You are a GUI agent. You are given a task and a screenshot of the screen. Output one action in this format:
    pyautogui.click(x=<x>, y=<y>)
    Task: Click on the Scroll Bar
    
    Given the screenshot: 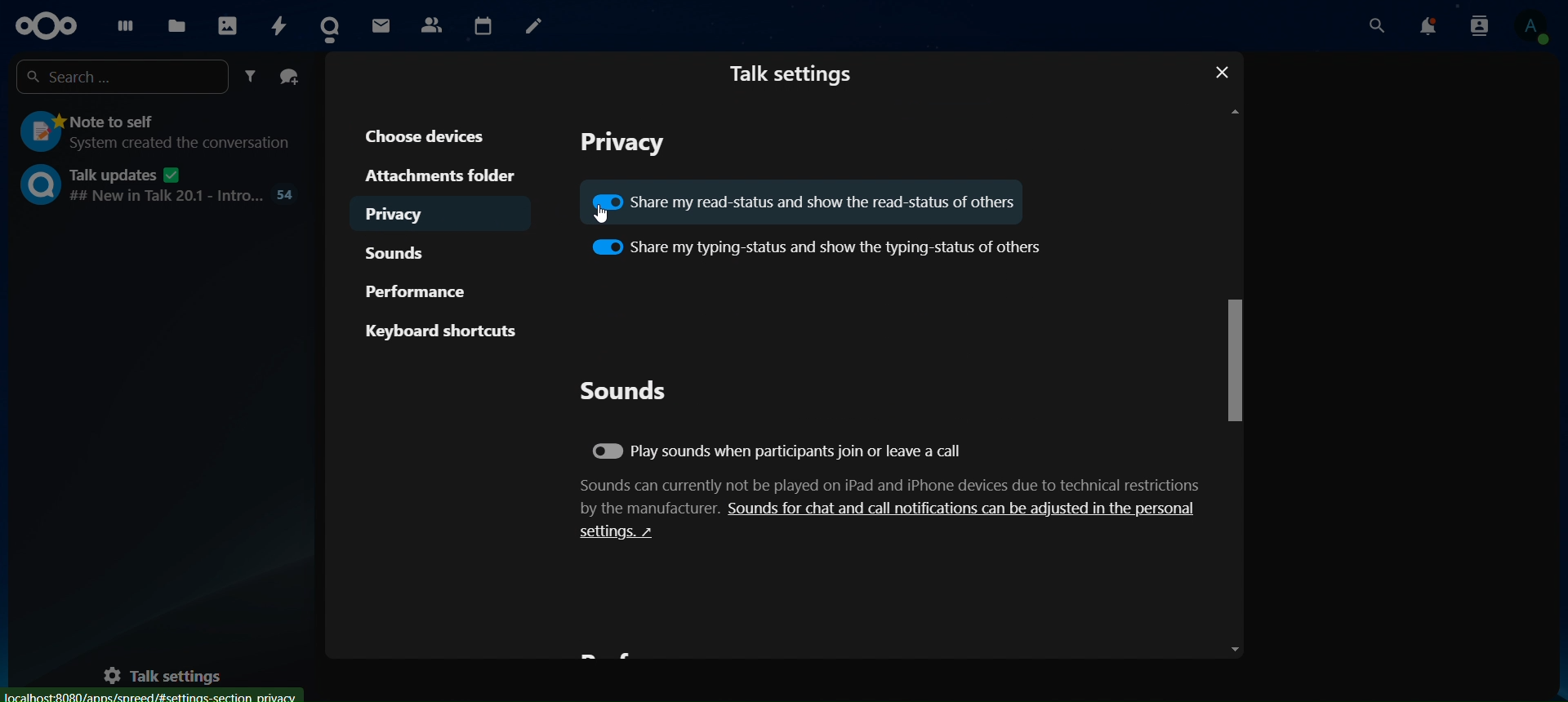 What is the action you would take?
    pyautogui.click(x=1232, y=380)
    